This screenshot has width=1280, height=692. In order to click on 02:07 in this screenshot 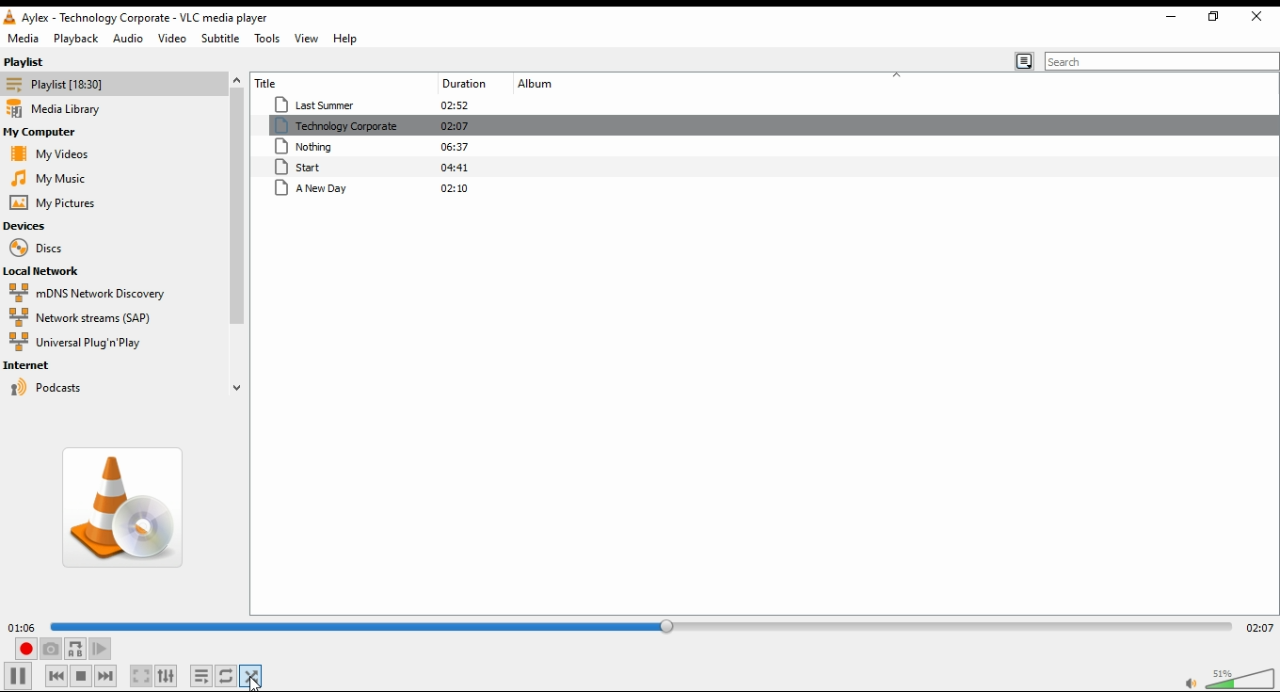, I will do `click(1260, 625)`.